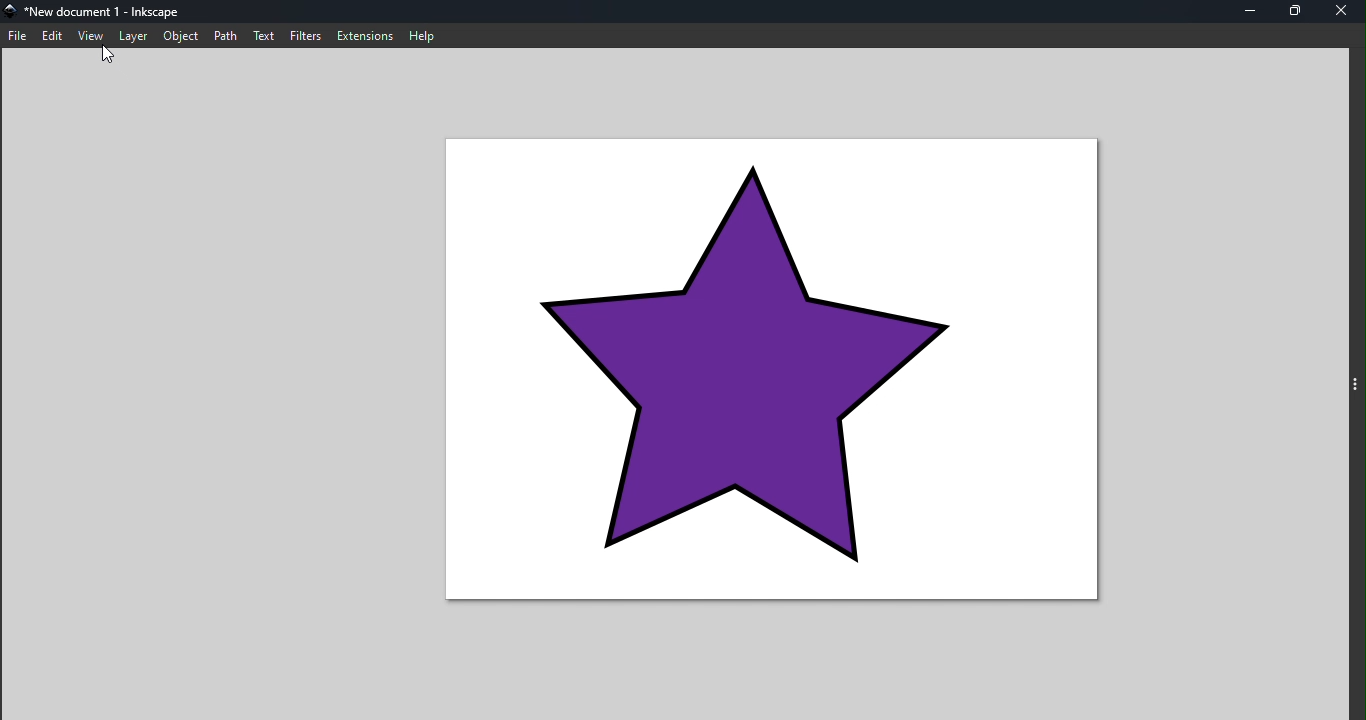 The width and height of the screenshot is (1366, 720). What do you see at coordinates (1256, 13) in the screenshot?
I see `Minimize` at bounding box center [1256, 13].